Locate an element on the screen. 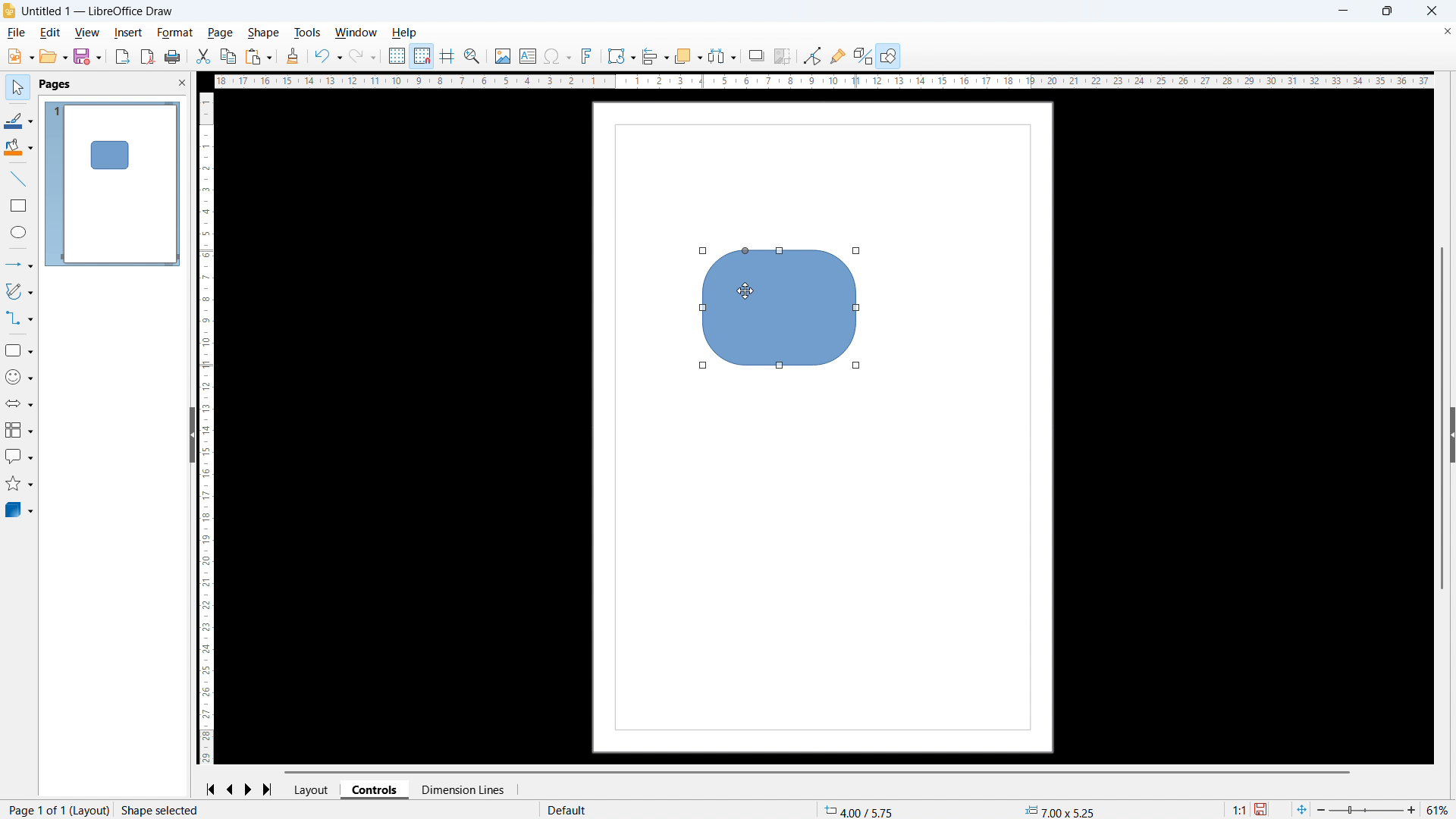 The image size is (1456, 819). Close document  is located at coordinates (1446, 33).